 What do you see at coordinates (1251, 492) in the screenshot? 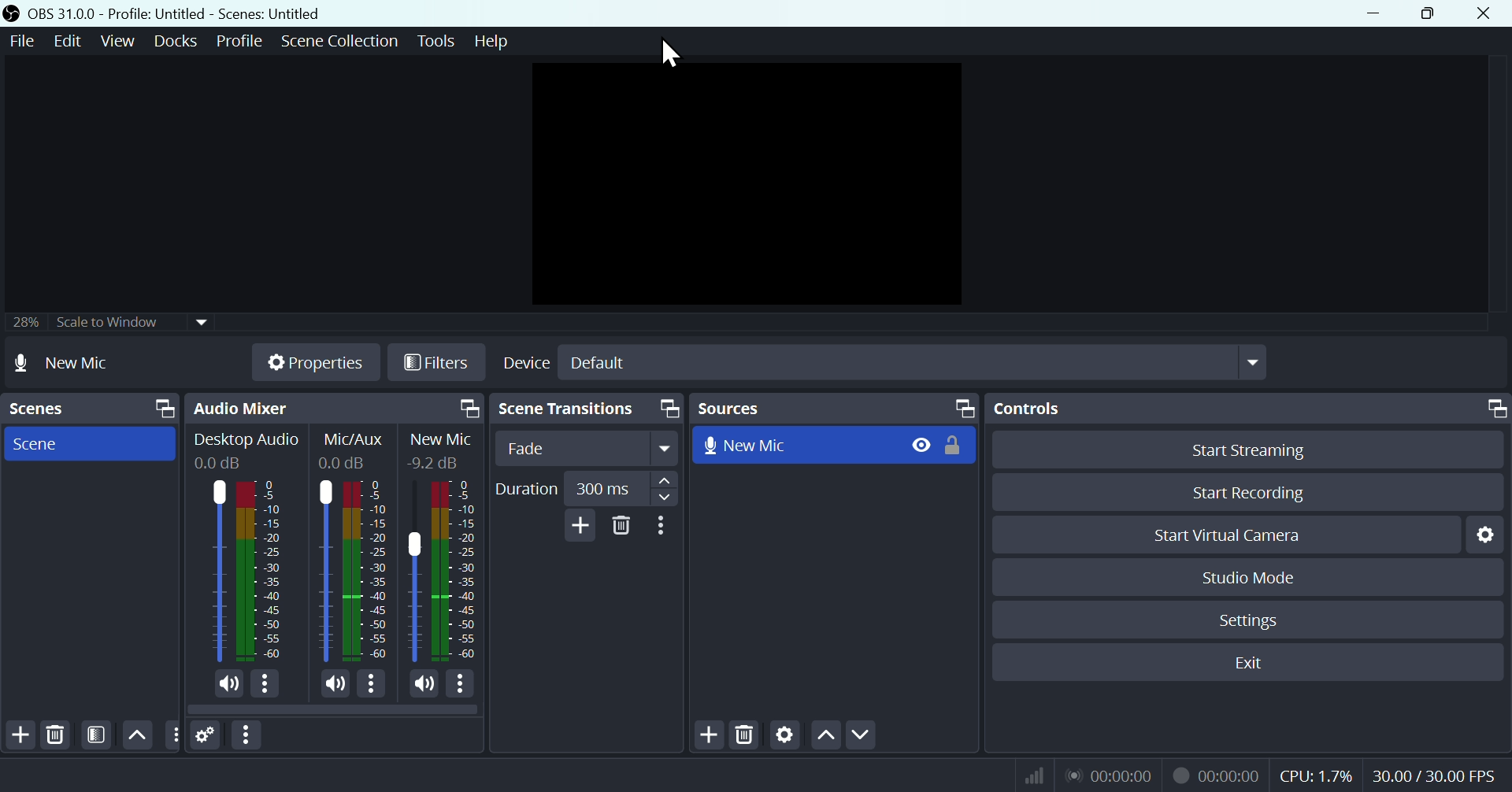
I see `Start recording` at bounding box center [1251, 492].